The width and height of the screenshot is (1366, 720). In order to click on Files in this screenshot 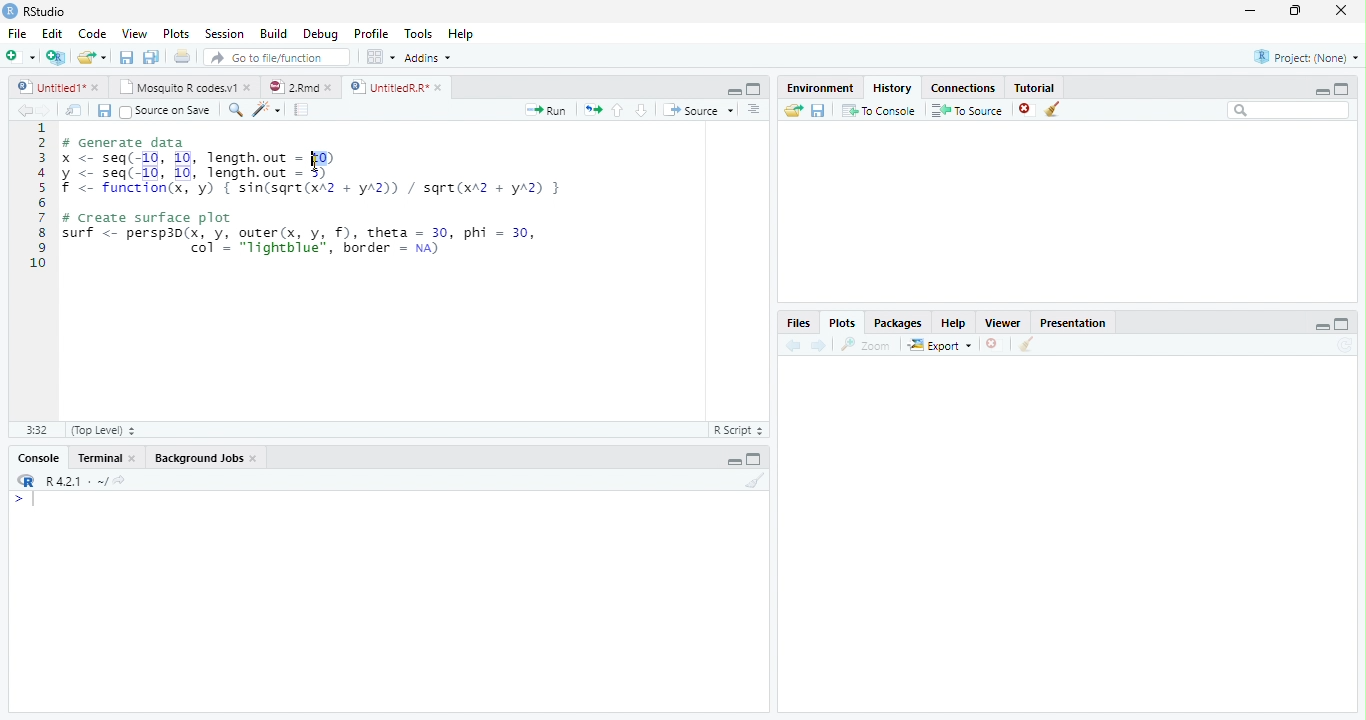, I will do `click(800, 322)`.